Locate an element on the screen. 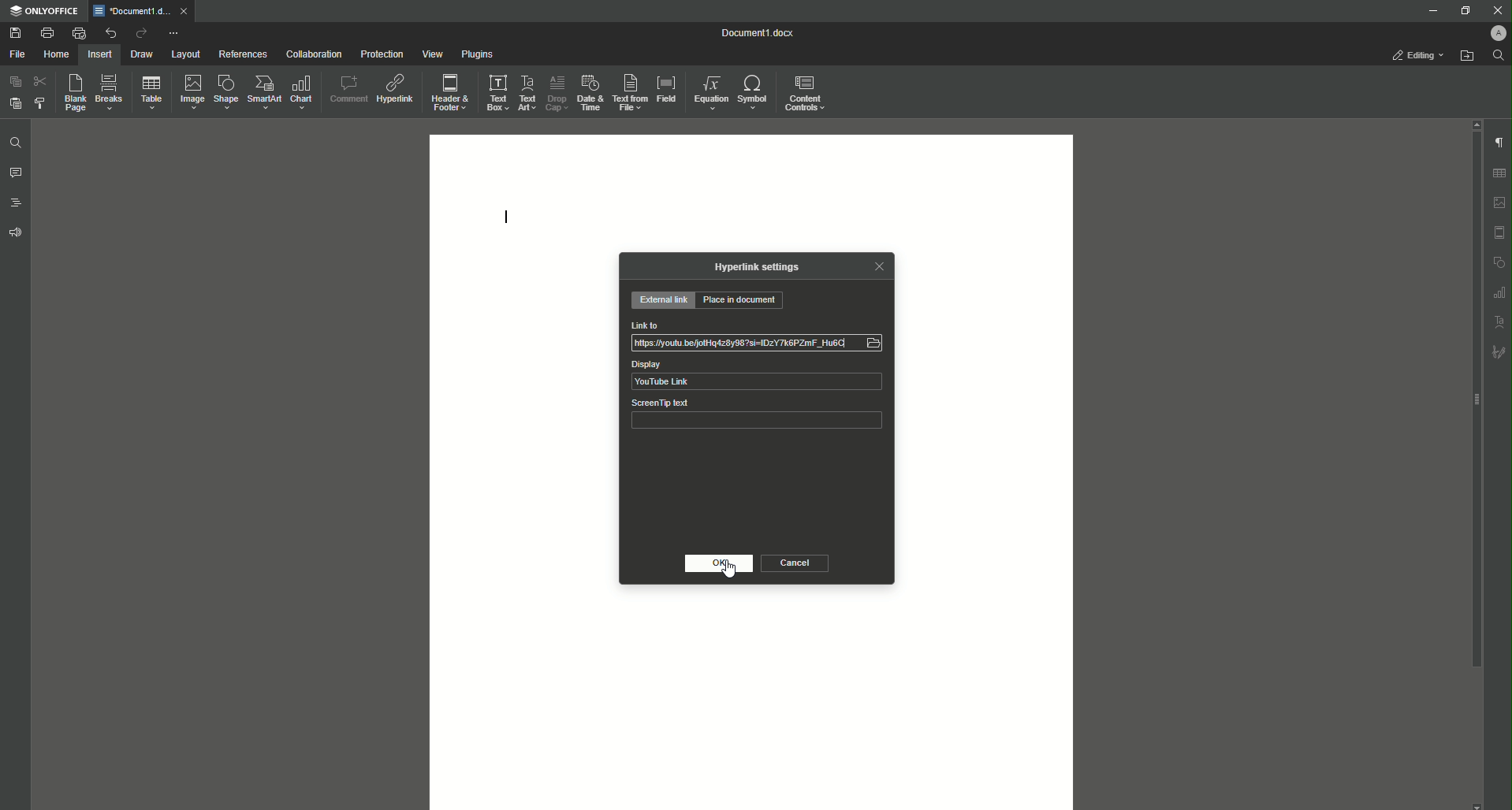 The image size is (1512, 810). *Document1.docx is located at coordinates (131, 11).